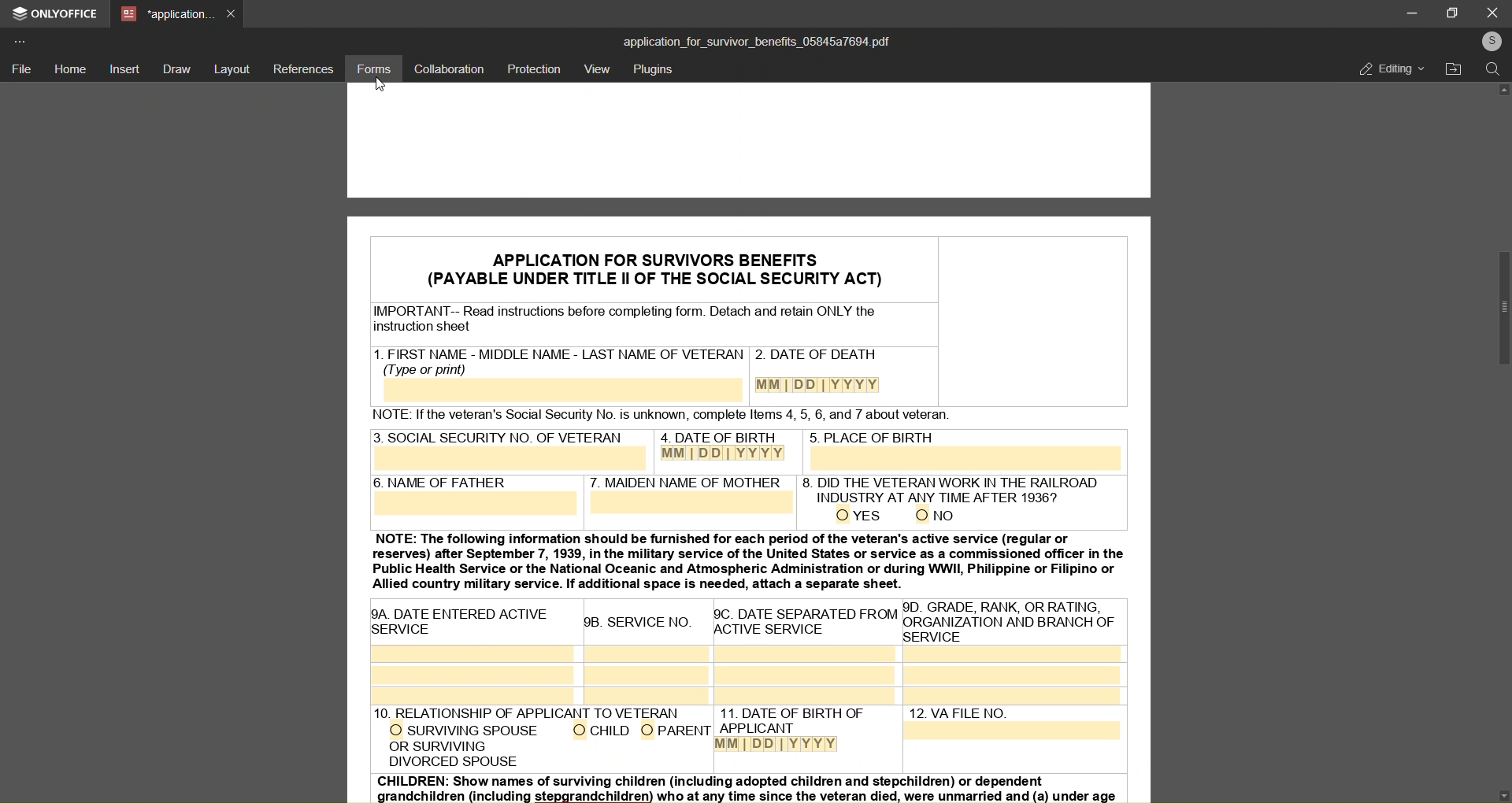 This screenshot has height=803, width=1512. I want to click on search, so click(1492, 72).